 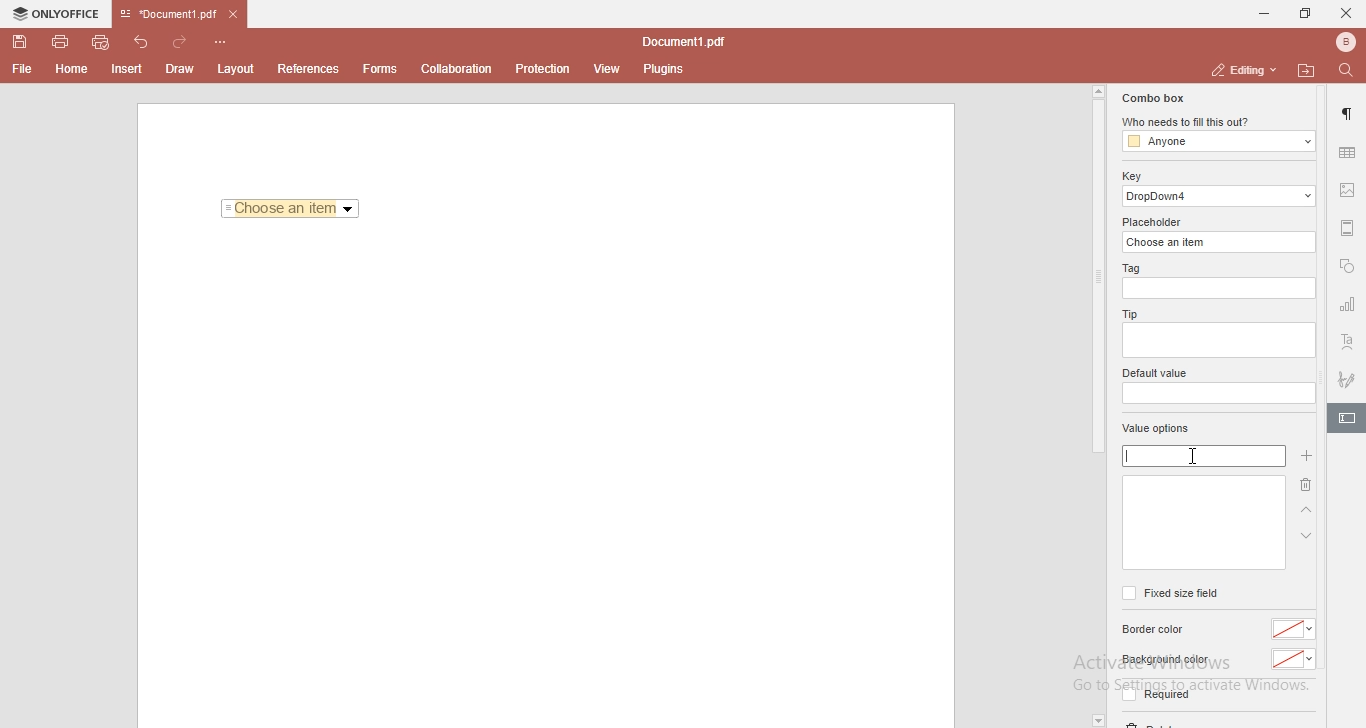 I want to click on chart, so click(x=1348, y=308).